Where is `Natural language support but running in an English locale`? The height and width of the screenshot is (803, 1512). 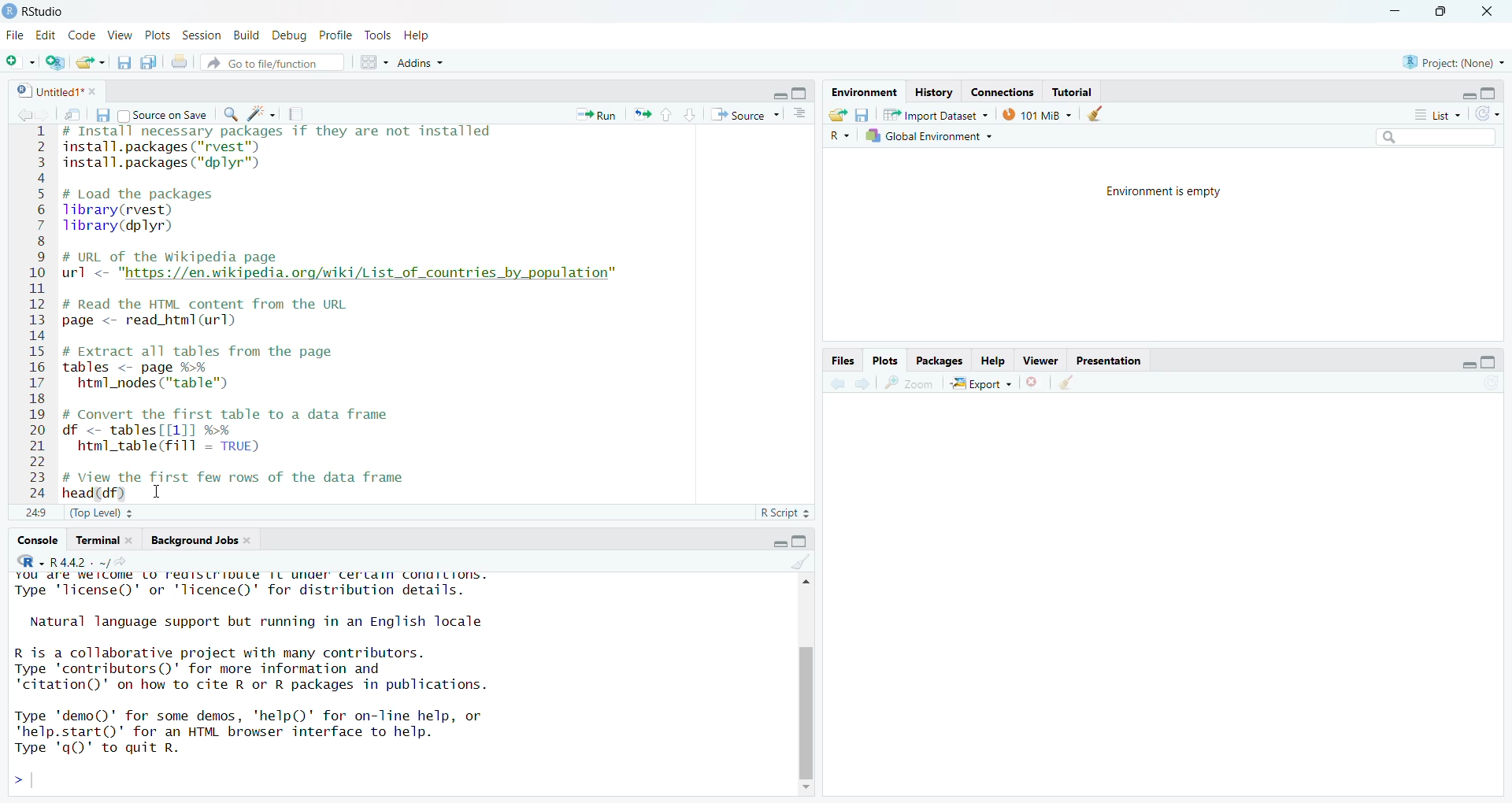 Natural language support but running in an English locale is located at coordinates (258, 622).